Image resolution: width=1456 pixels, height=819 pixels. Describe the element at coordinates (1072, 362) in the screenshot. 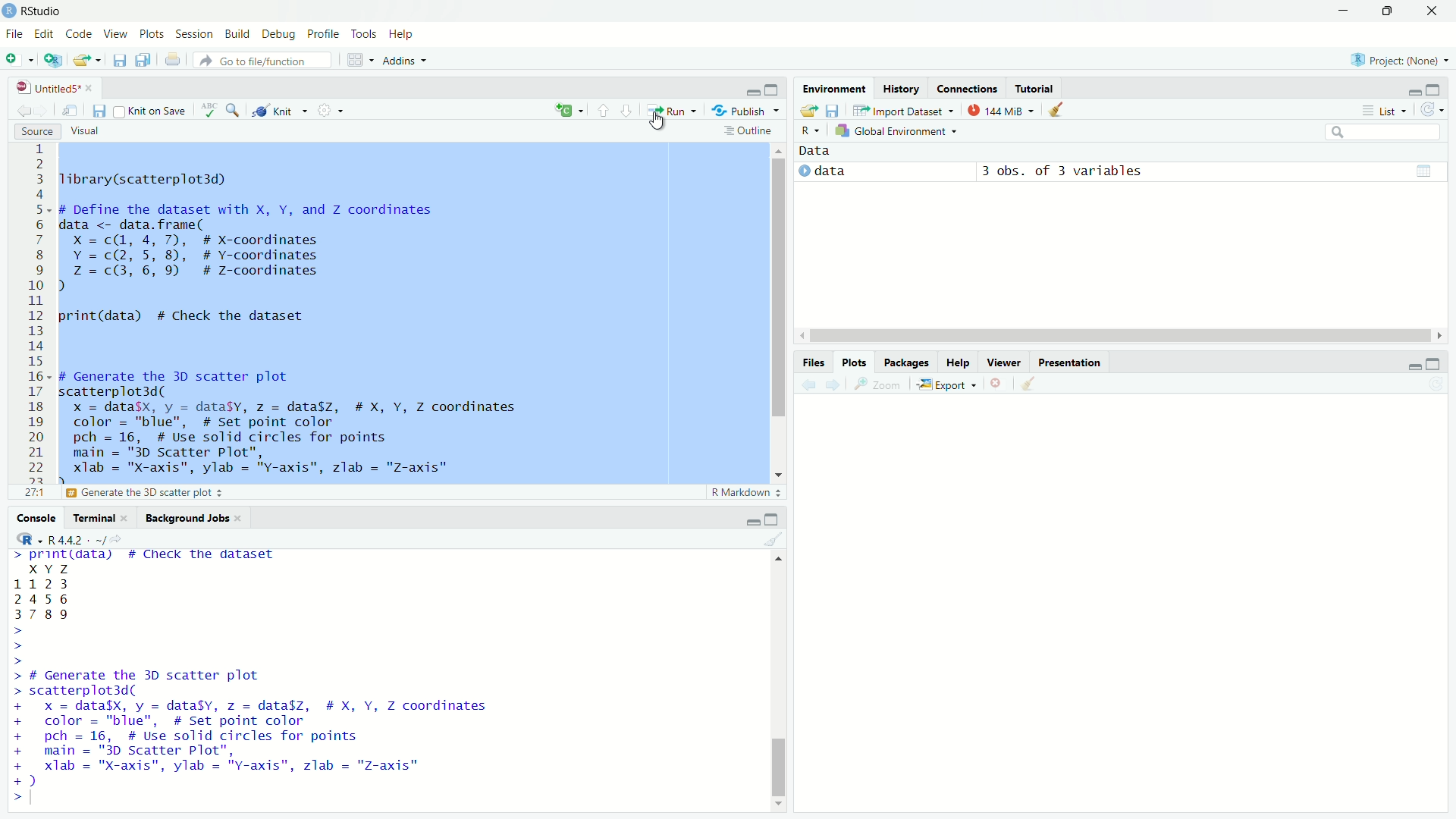

I see `presentation` at that location.